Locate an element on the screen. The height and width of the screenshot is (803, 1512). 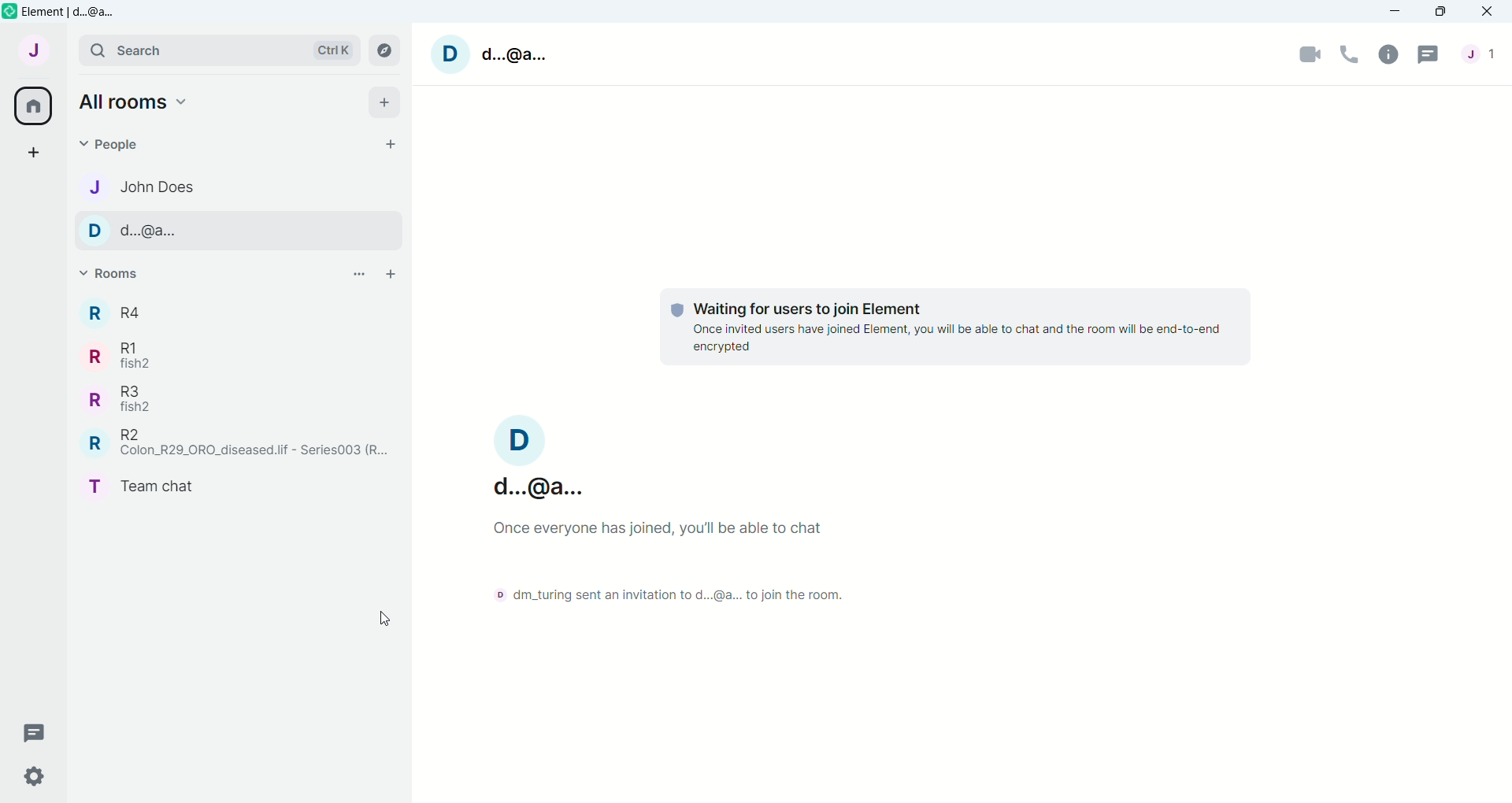
R R4 is located at coordinates (118, 312).